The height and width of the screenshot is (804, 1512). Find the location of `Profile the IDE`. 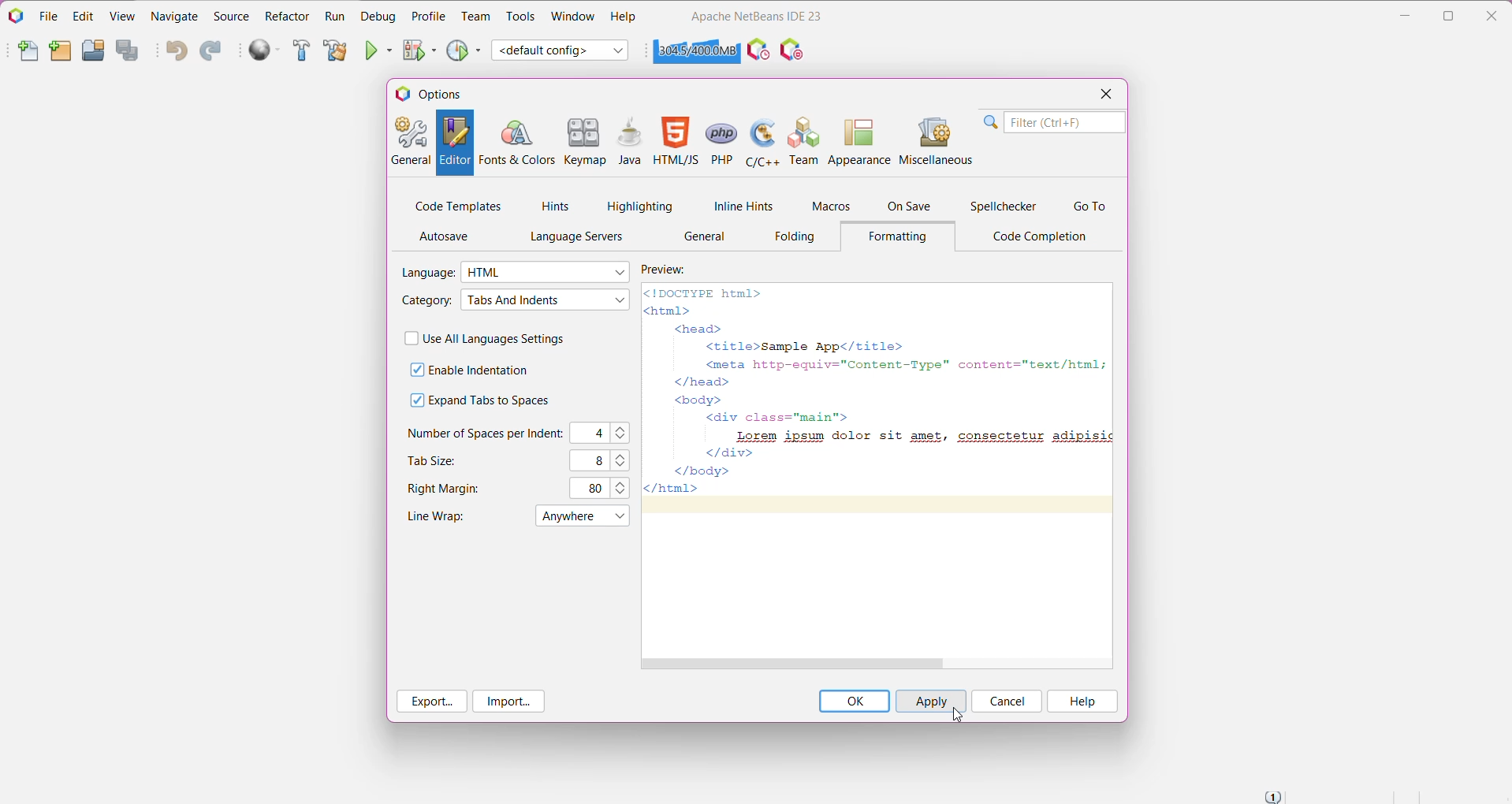

Profile the IDE is located at coordinates (758, 50).